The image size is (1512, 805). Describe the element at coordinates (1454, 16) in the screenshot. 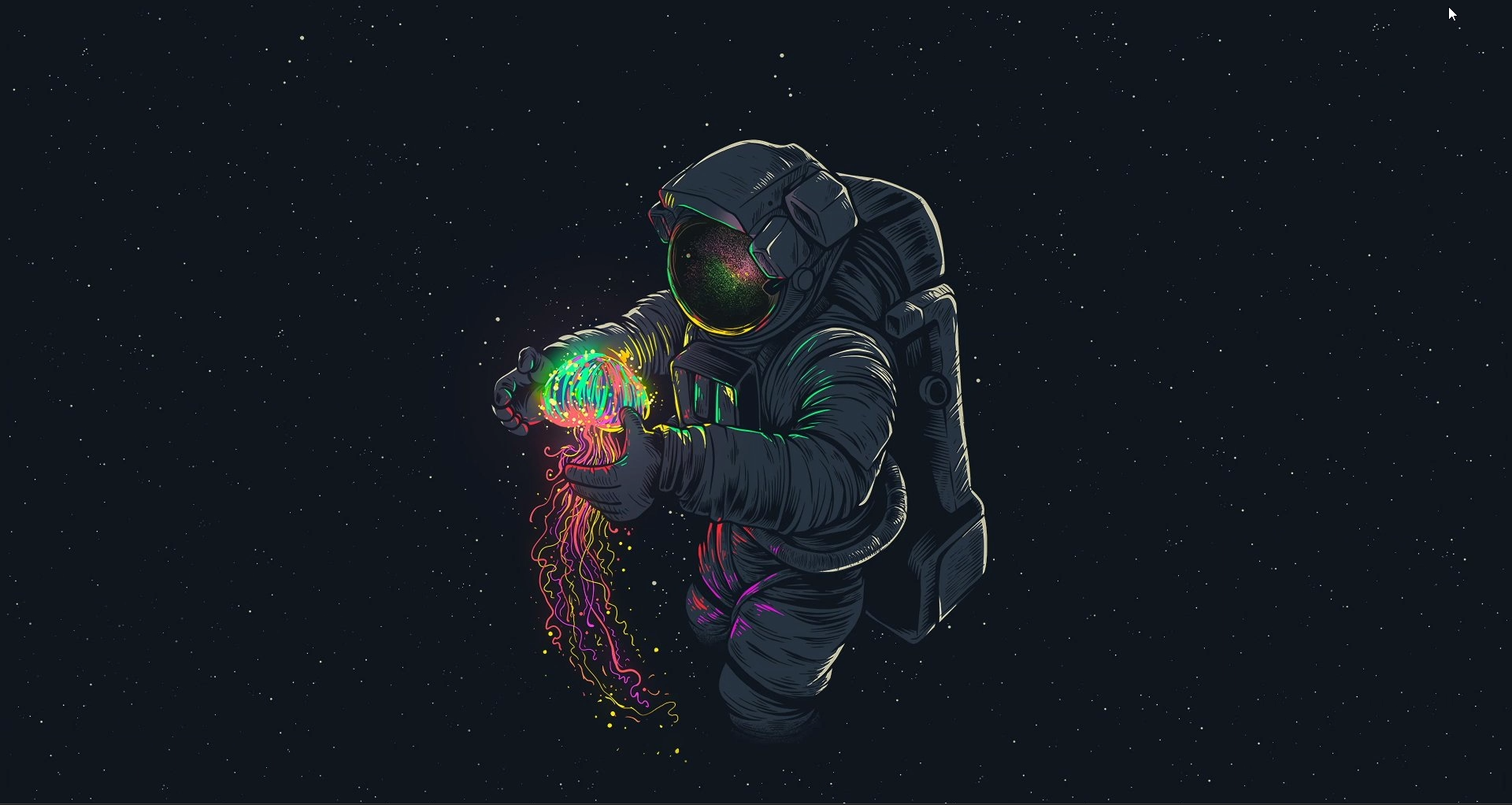

I see `cursor` at that location.